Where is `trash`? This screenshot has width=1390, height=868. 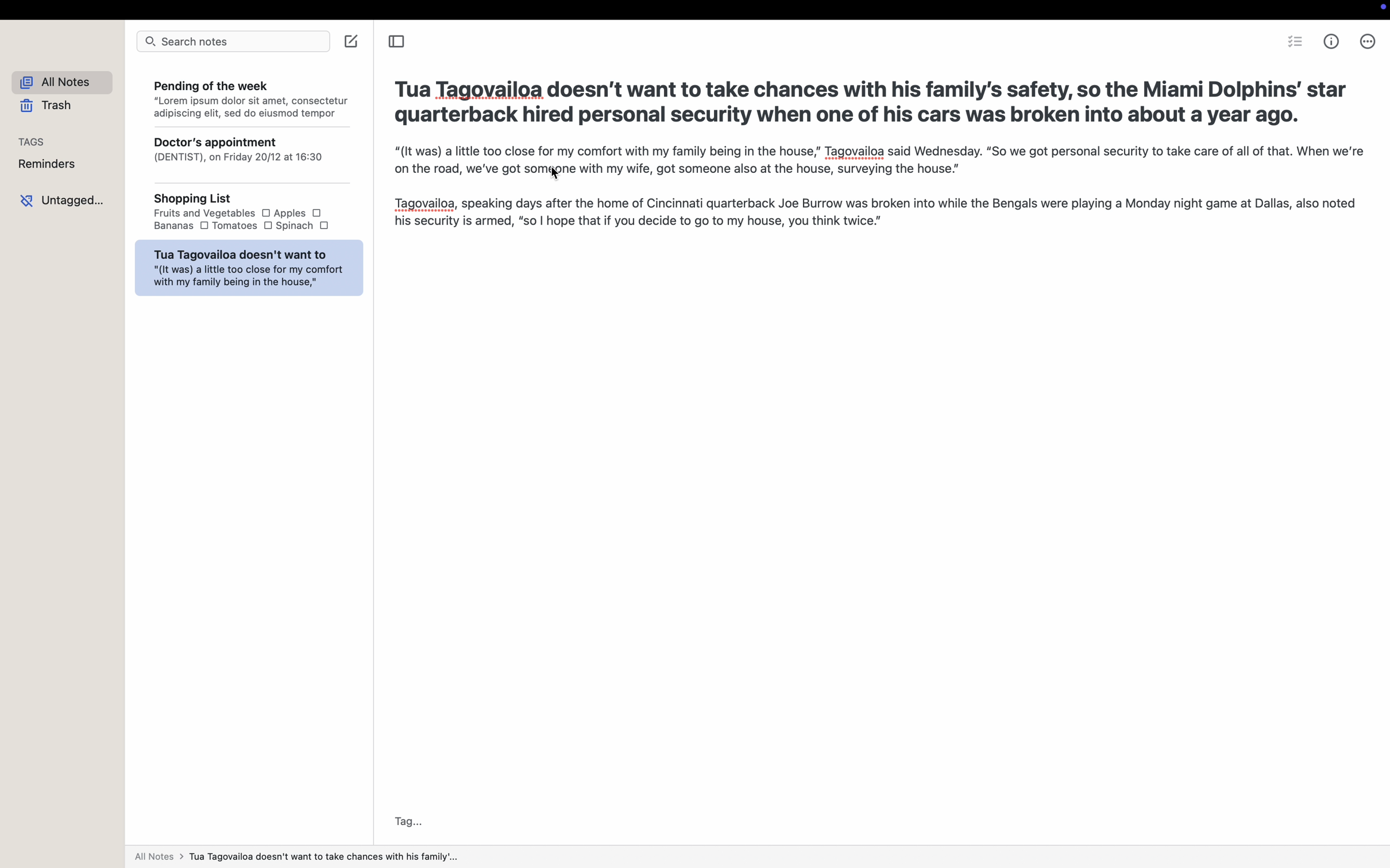
trash is located at coordinates (46, 106).